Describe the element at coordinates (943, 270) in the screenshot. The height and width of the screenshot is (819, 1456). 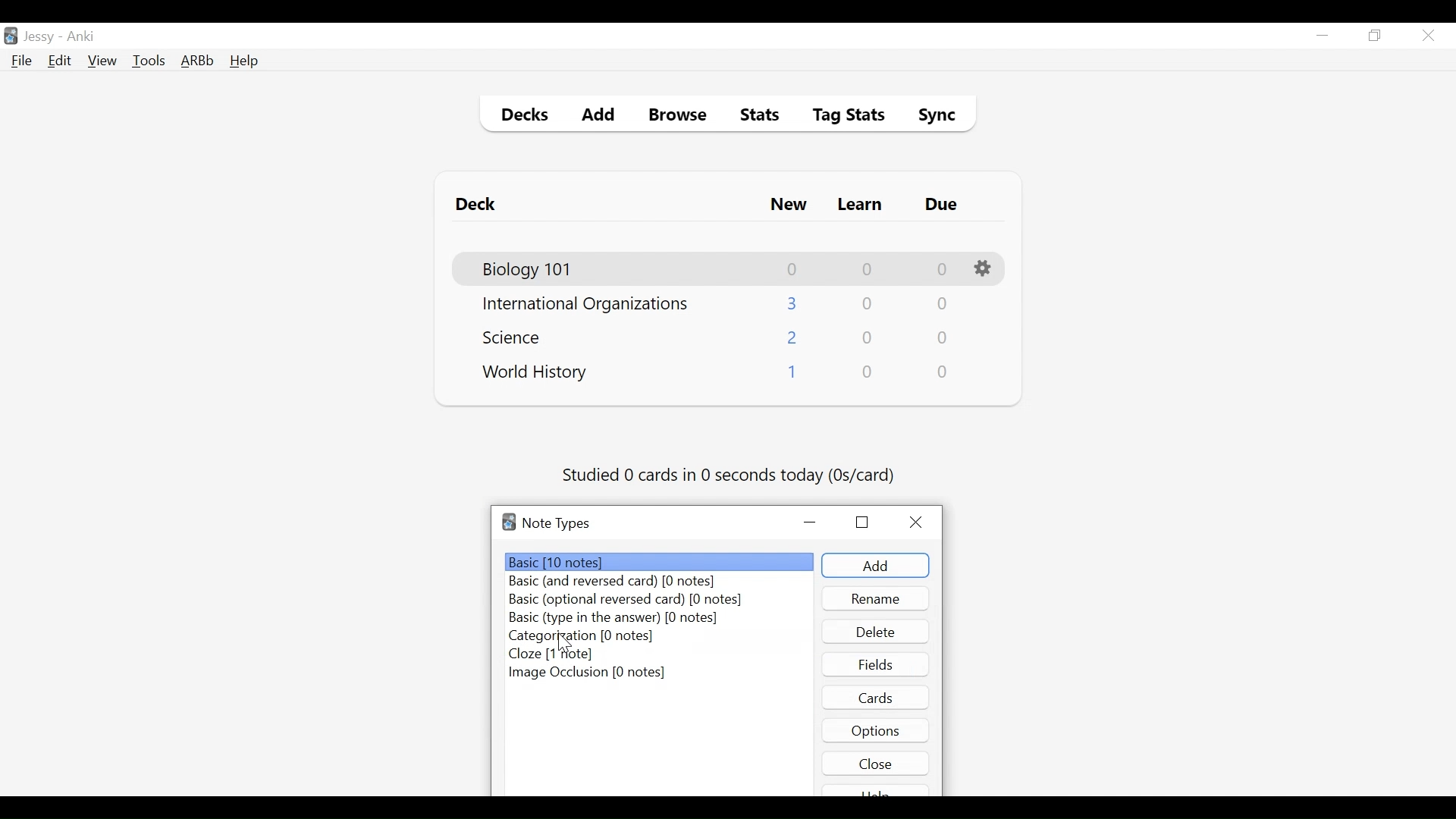
I see `Due Card Count` at that location.